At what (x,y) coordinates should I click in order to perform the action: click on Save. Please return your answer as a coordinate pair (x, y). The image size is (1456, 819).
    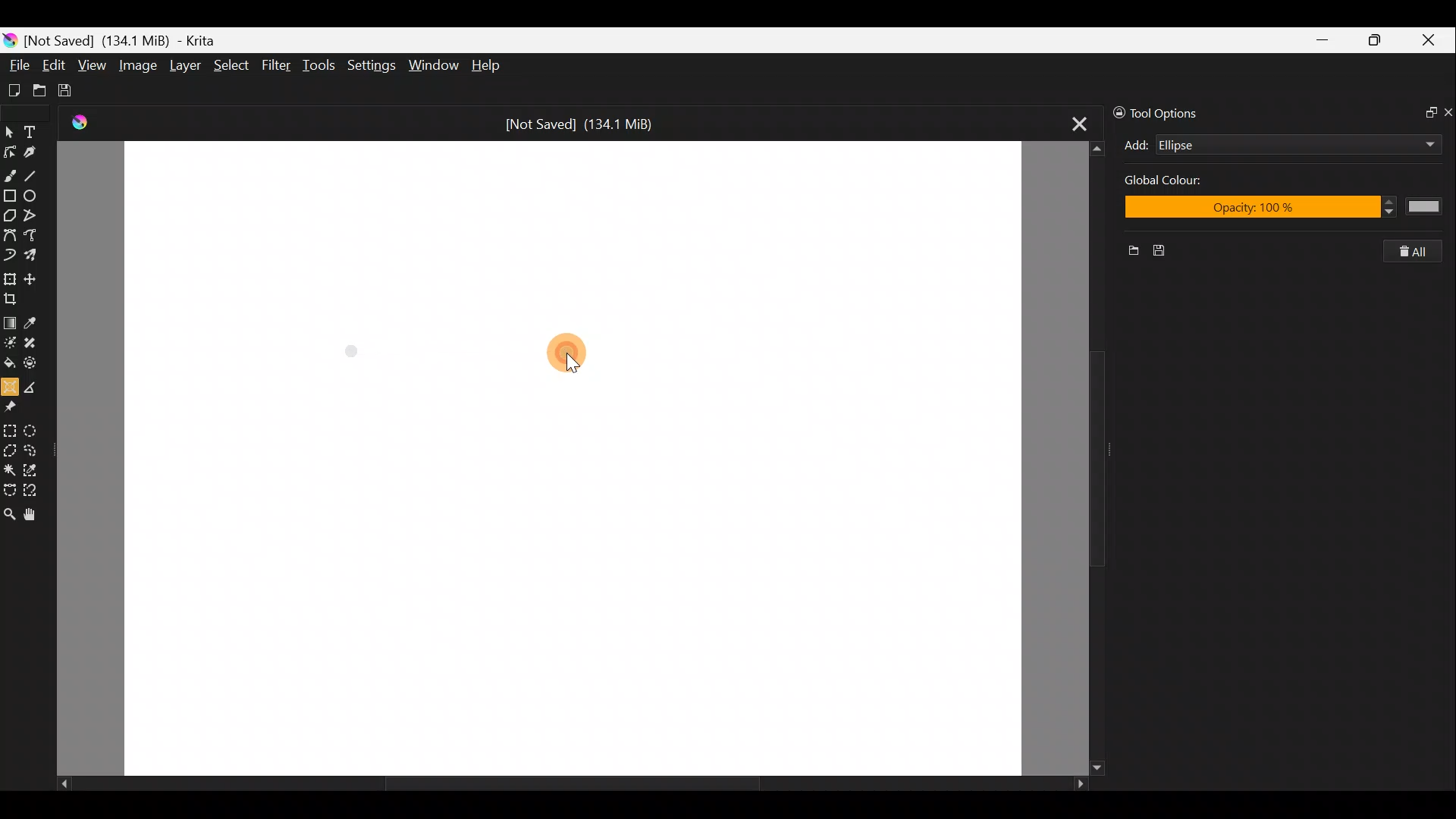
    Looking at the image, I should click on (1168, 251).